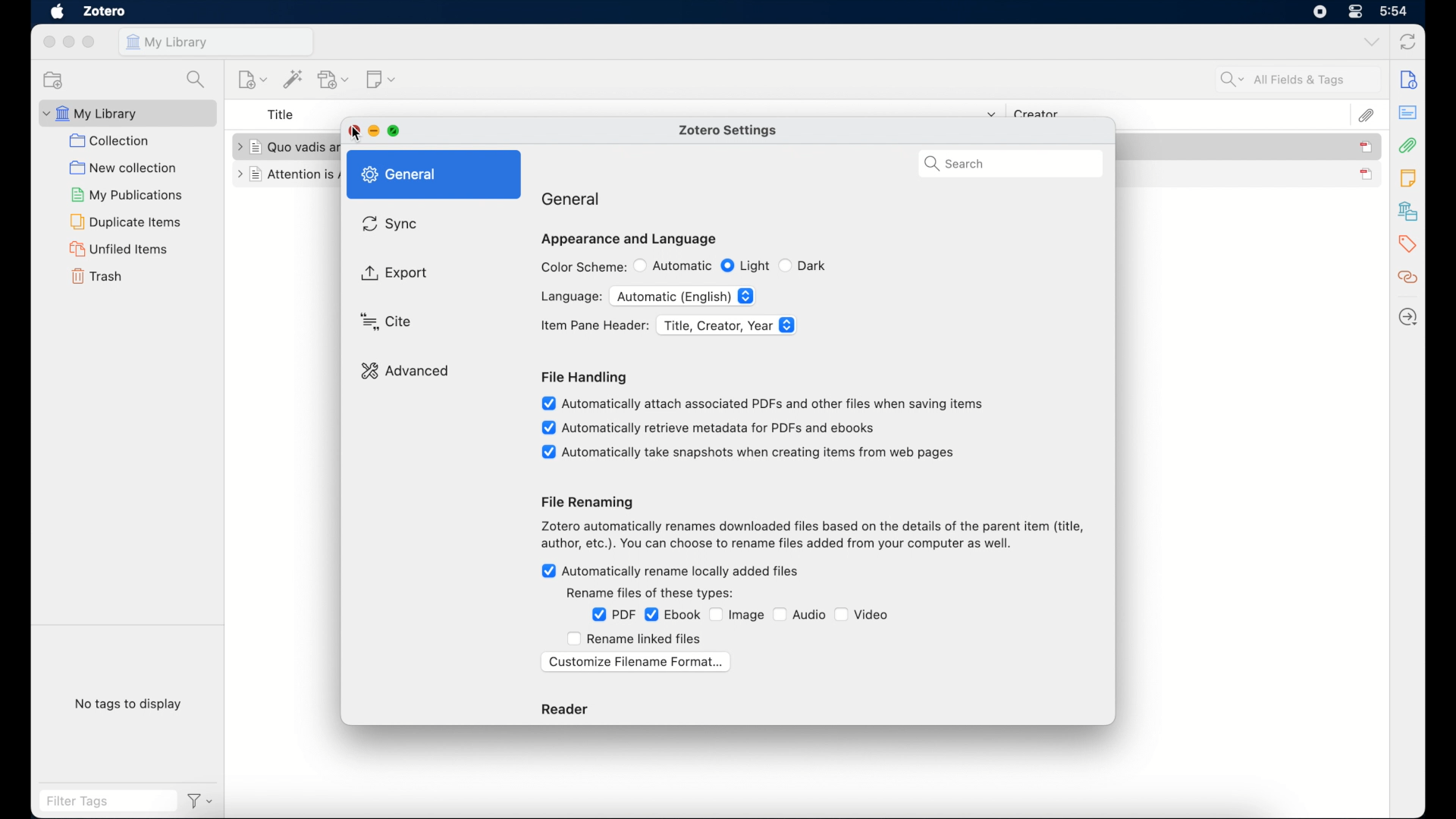  What do you see at coordinates (391, 225) in the screenshot?
I see `sync` at bounding box center [391, 225].